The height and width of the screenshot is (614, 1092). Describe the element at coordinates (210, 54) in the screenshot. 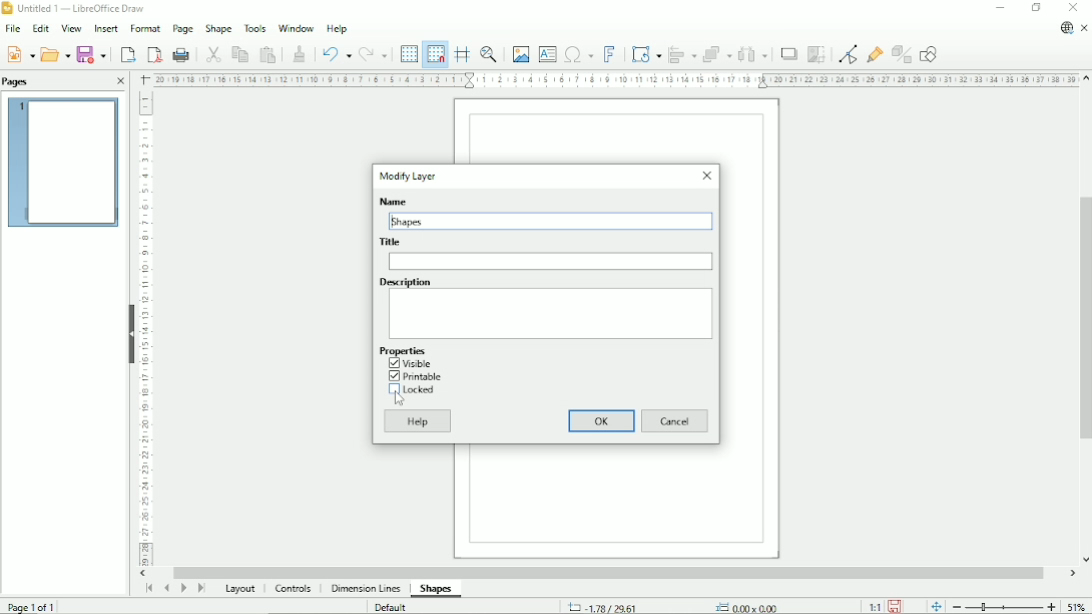

I see `Cut` at that location.